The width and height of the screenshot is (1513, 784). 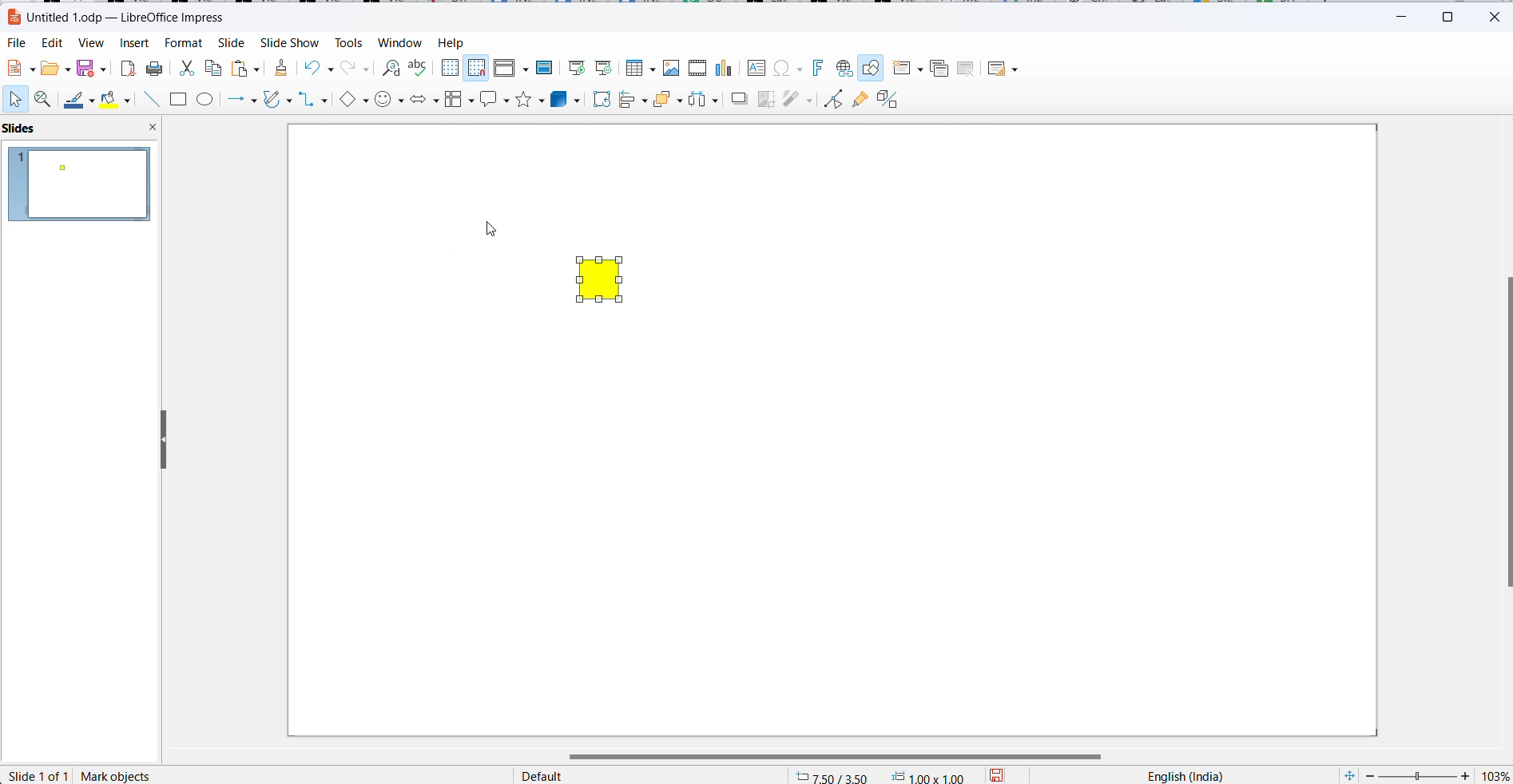 What do you see at coordinates (129, 101) in the screenshot?
I see `fill color options` at bounding box center [129, 101].